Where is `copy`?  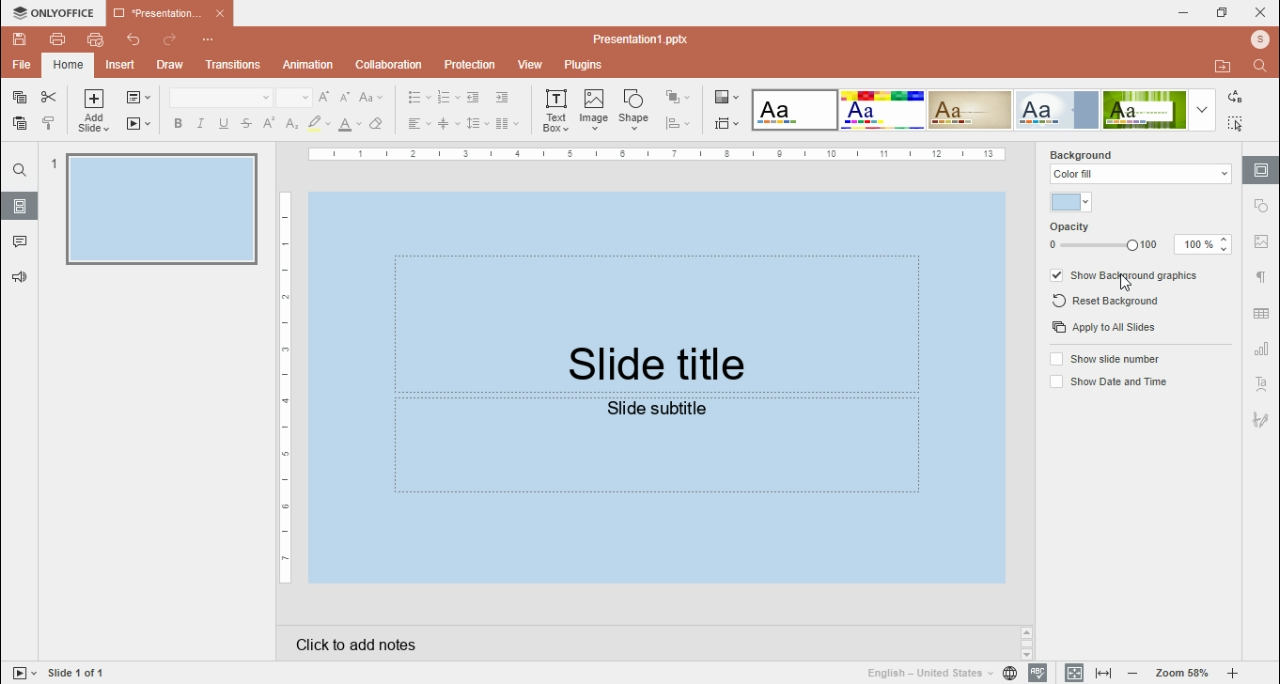
copy is located at coordinates (20, 97).